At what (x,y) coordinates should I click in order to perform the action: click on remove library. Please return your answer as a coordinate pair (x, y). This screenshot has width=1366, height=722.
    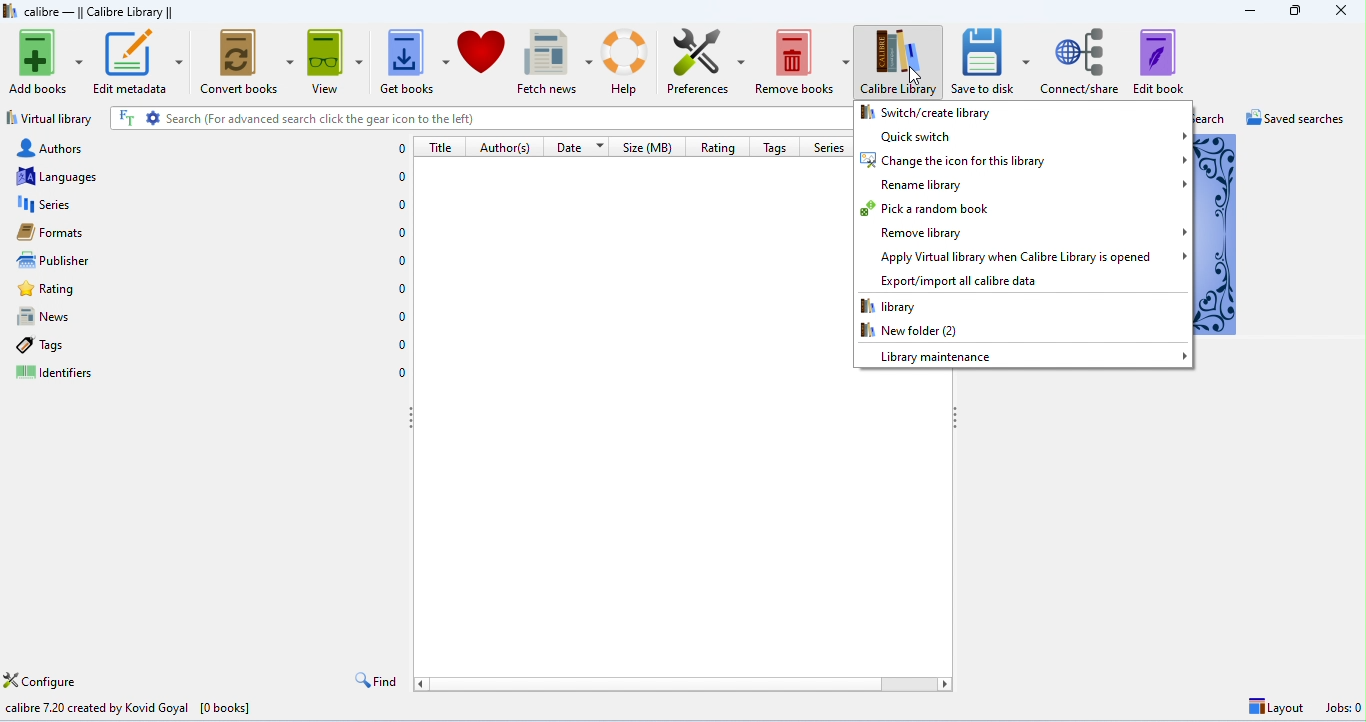
    Looking at the image, I should click on (1024, 233).